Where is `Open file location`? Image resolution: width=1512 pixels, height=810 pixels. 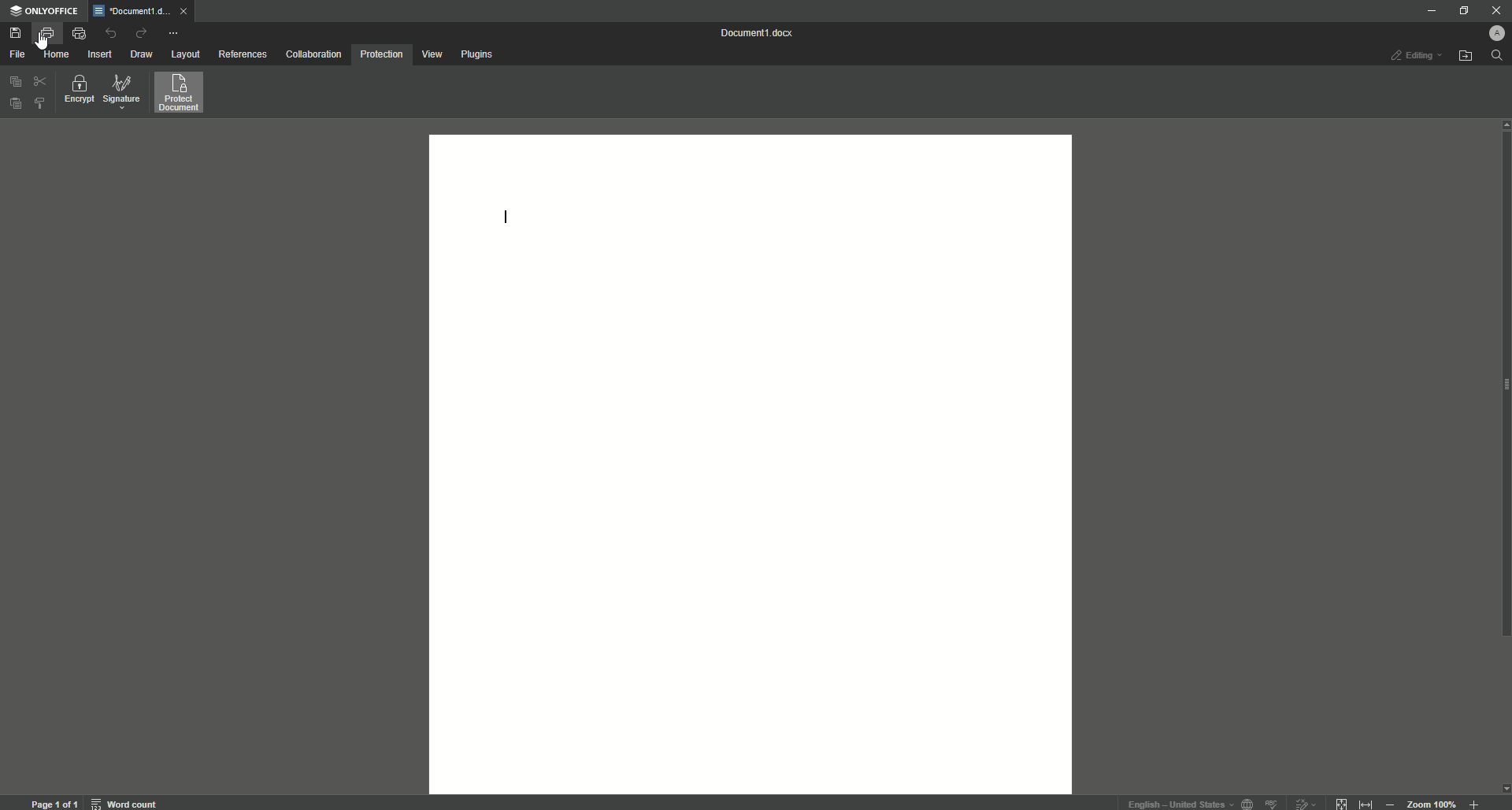 Open file location is located at coordinates (1467, 56).